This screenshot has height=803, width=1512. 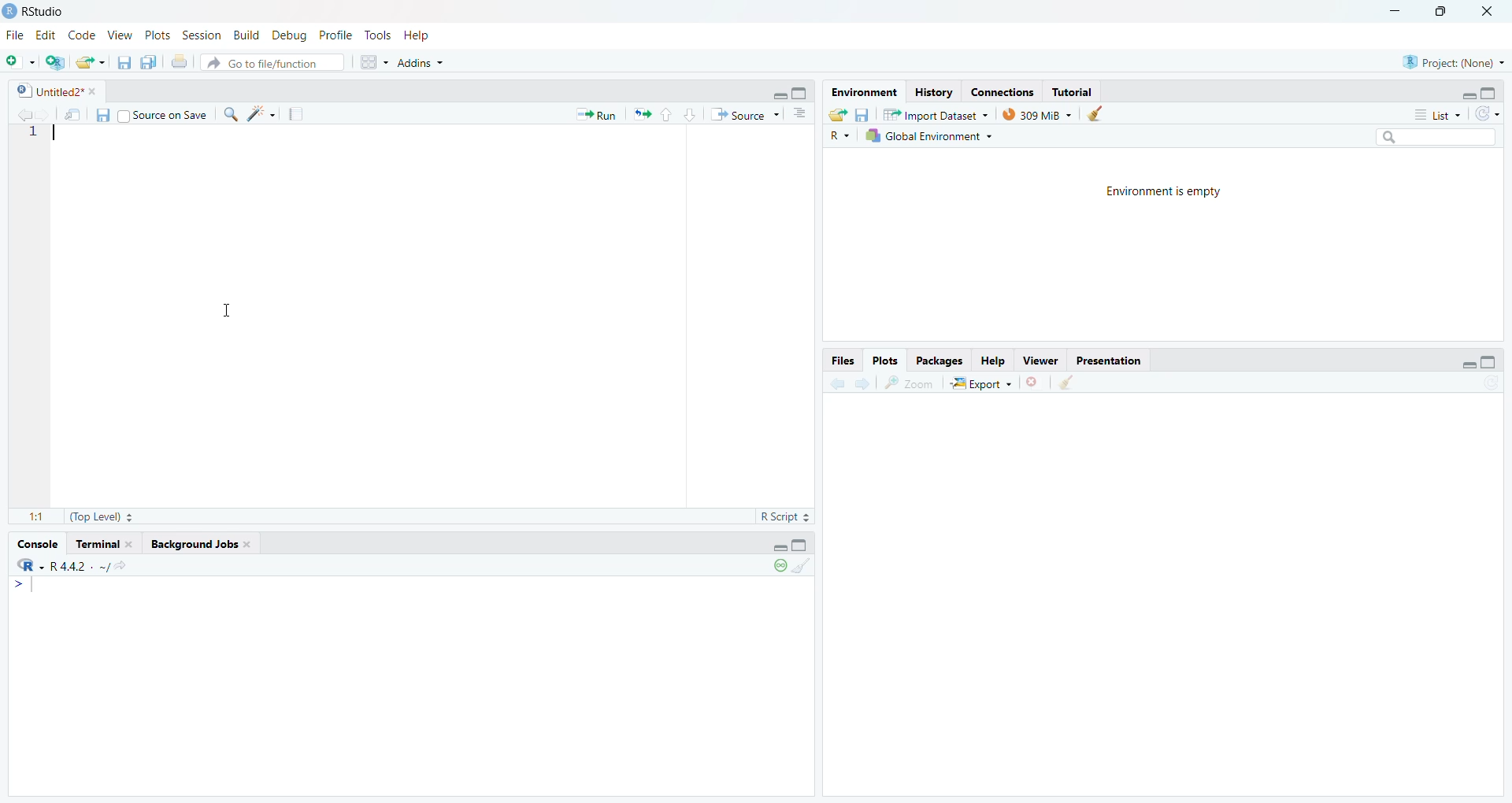 What do you see at coordinates (1493, 12) in the screenshot?
I see `close` at bounding box center [1493, 12].